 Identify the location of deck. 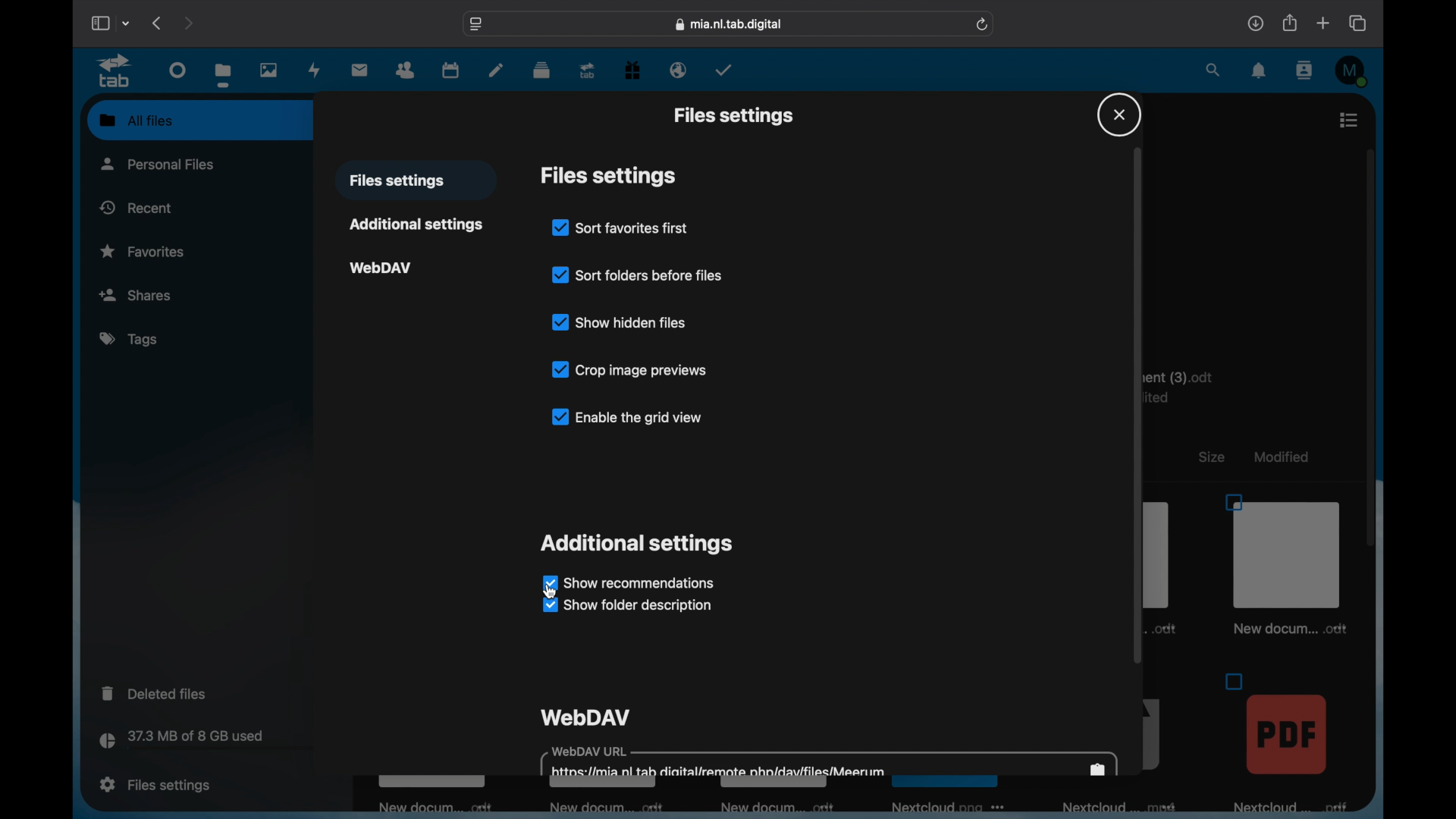
(541, 71).